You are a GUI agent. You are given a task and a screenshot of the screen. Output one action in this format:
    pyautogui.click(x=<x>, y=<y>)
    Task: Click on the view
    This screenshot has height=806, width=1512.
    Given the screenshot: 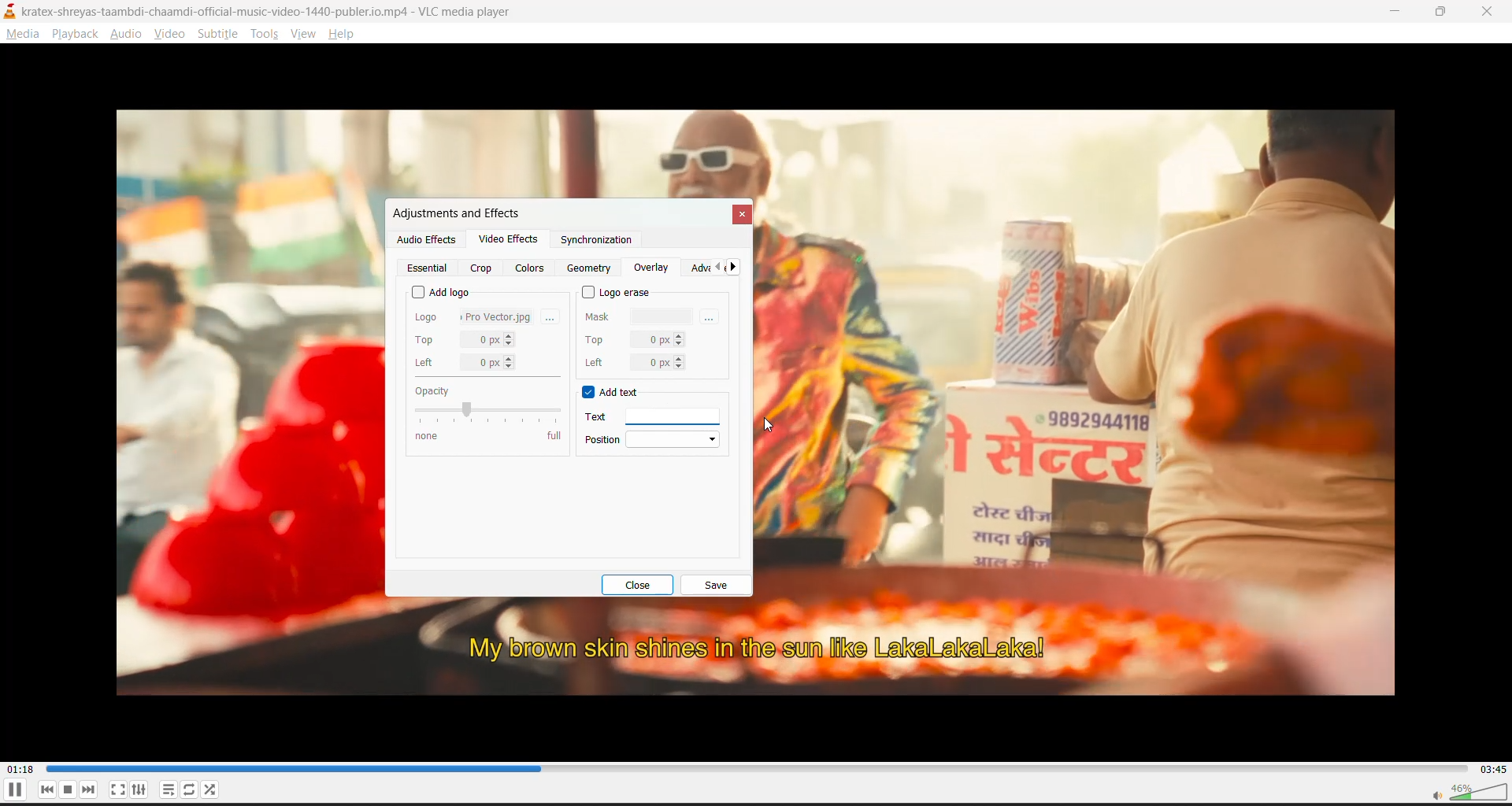 What is the action you would take?
    pyautogui.click(x=305, y=35)
    